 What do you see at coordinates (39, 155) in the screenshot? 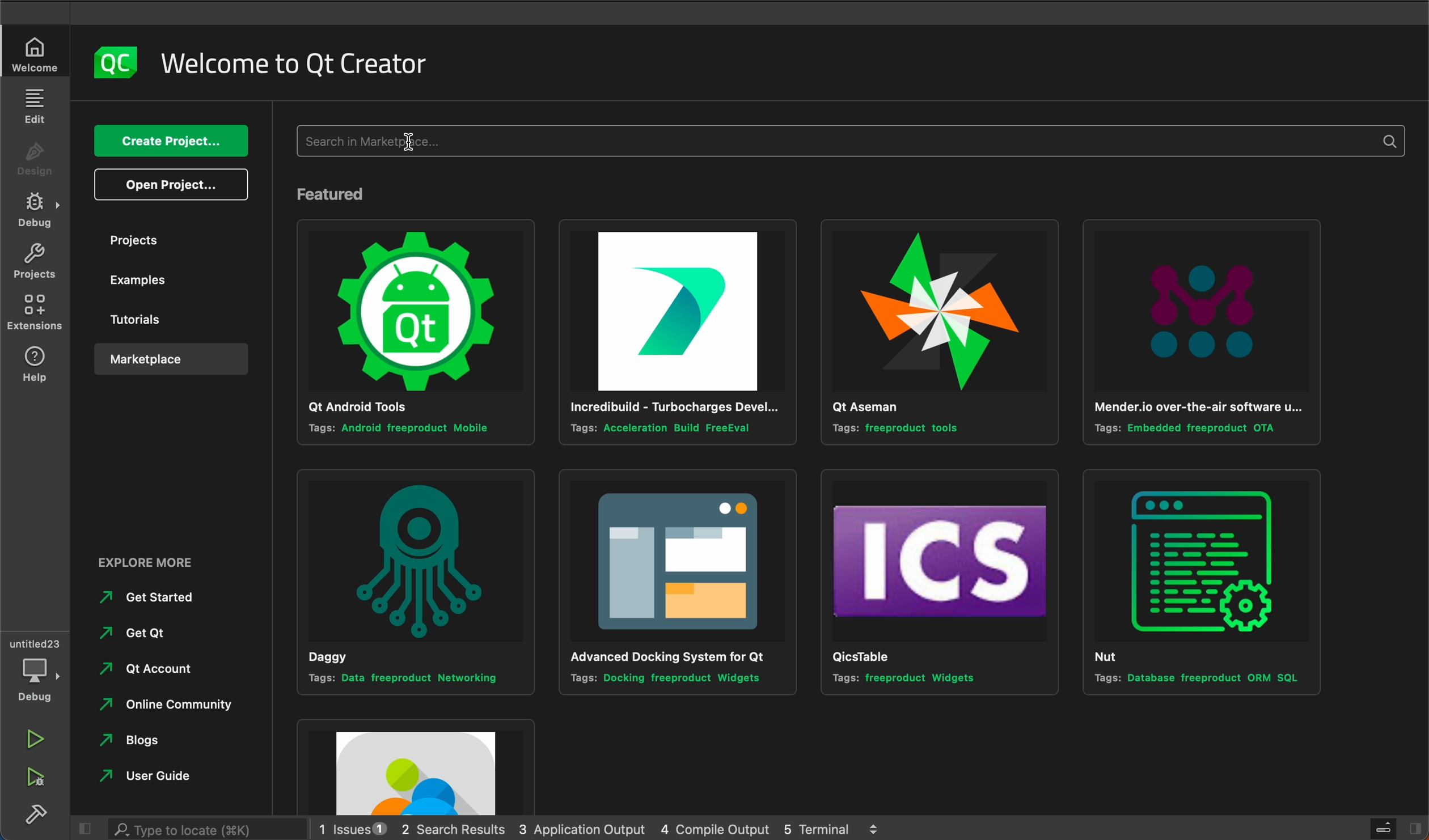
I see `design` at bounding box center [39, 155].